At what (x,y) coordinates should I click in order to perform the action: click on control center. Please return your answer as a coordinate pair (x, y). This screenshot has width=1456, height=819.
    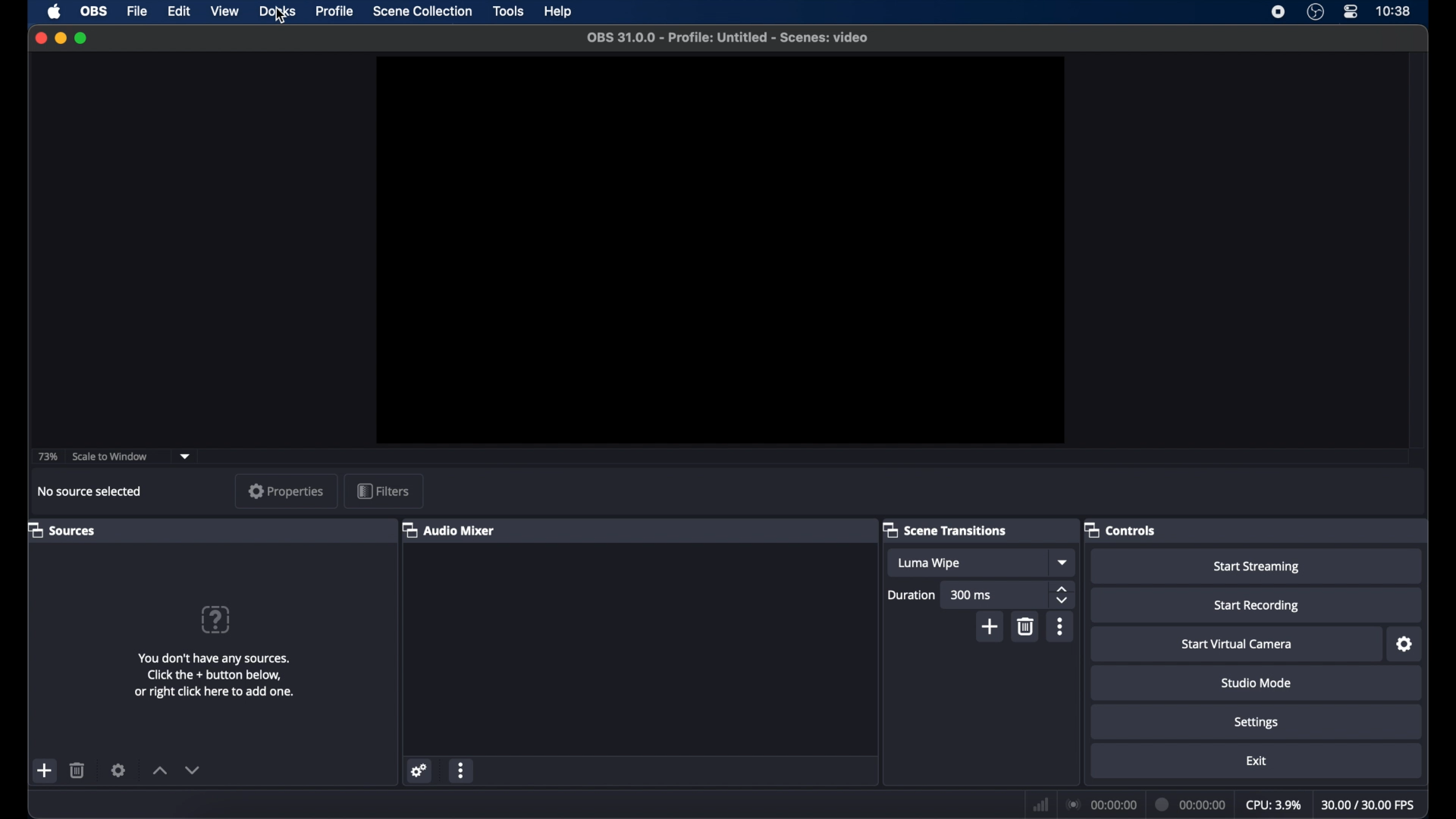
    Looking at the image, I should click on (1350, 11).